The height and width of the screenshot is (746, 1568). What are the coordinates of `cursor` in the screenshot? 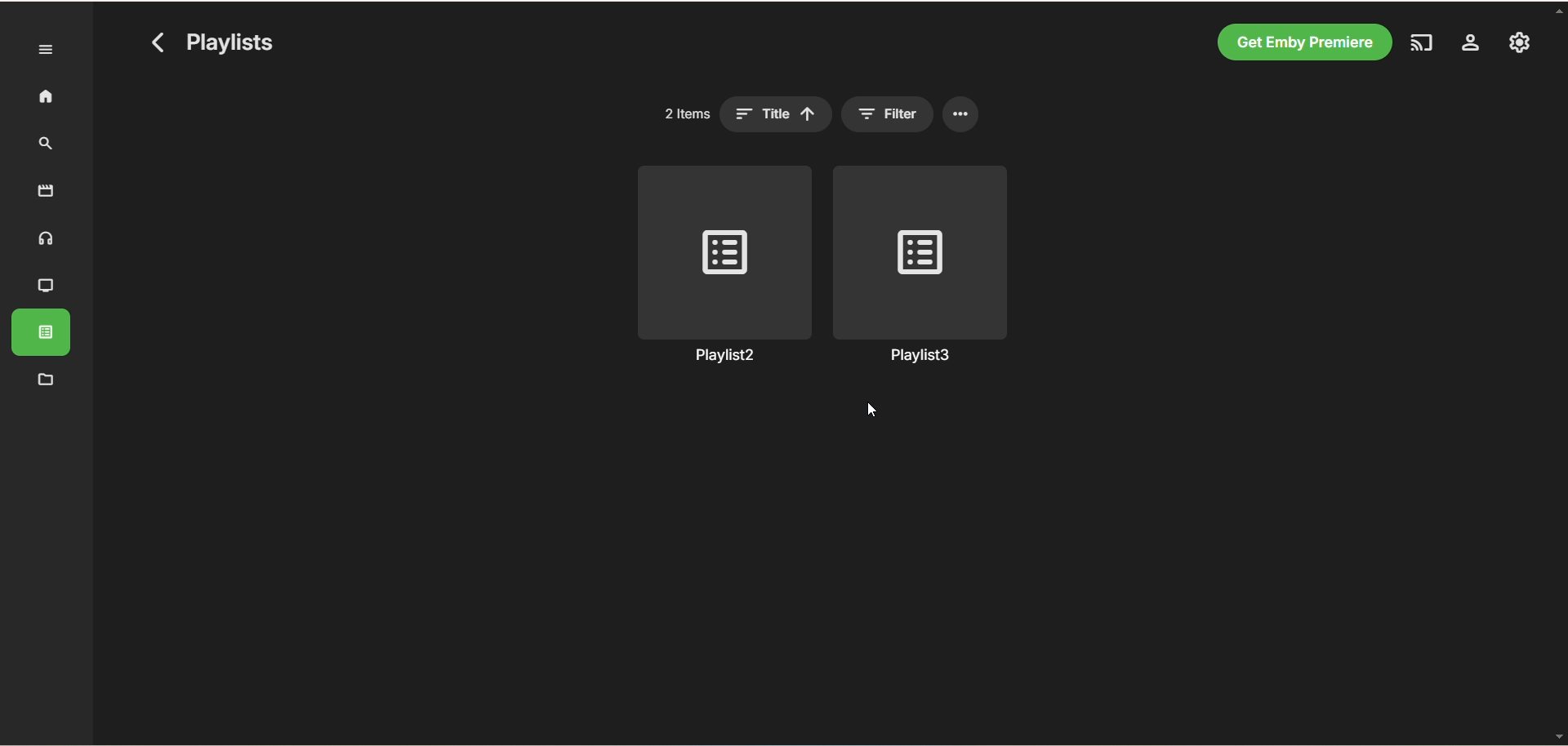 It's located at (873, 409).